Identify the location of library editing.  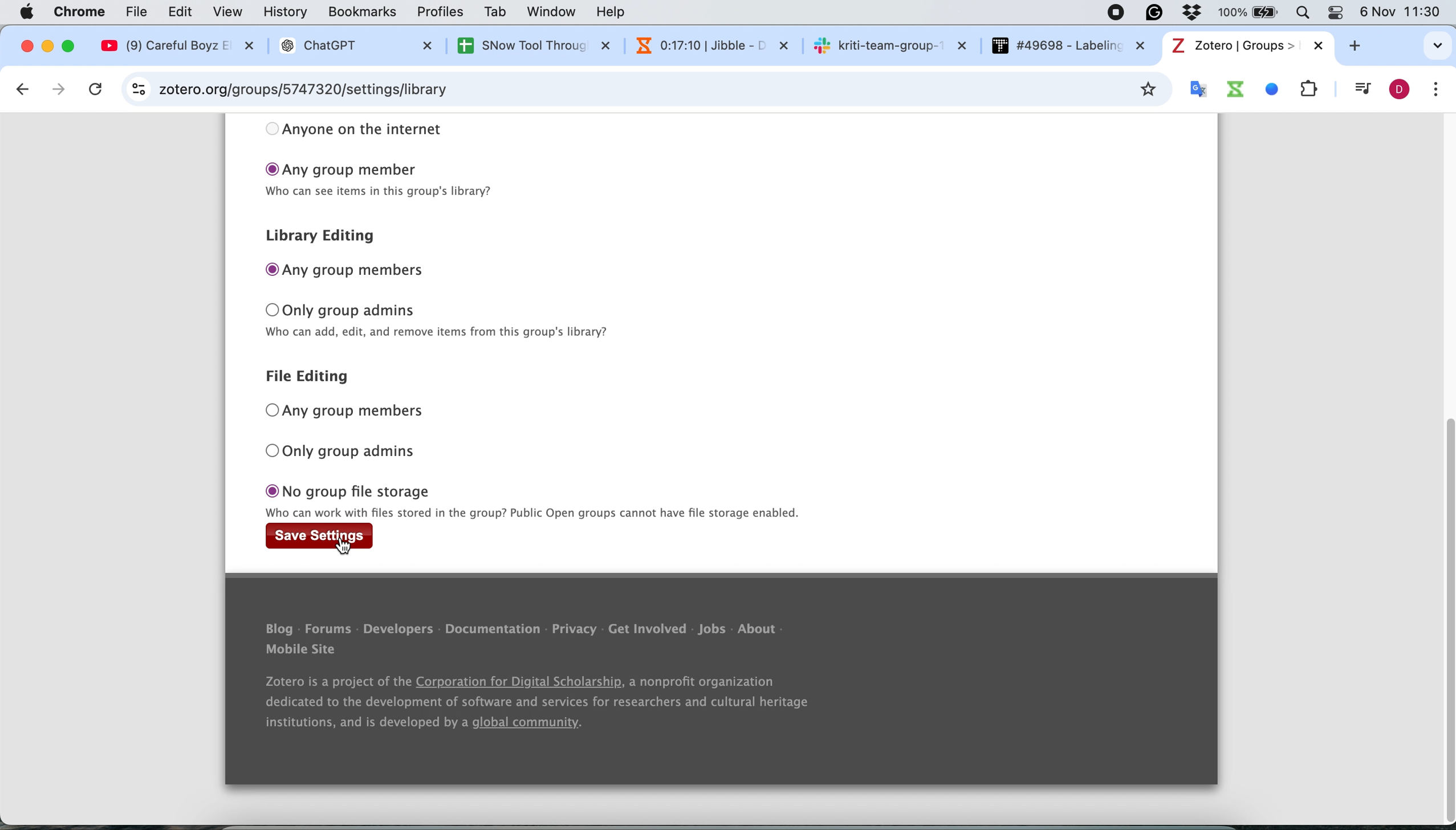
(326, 237).